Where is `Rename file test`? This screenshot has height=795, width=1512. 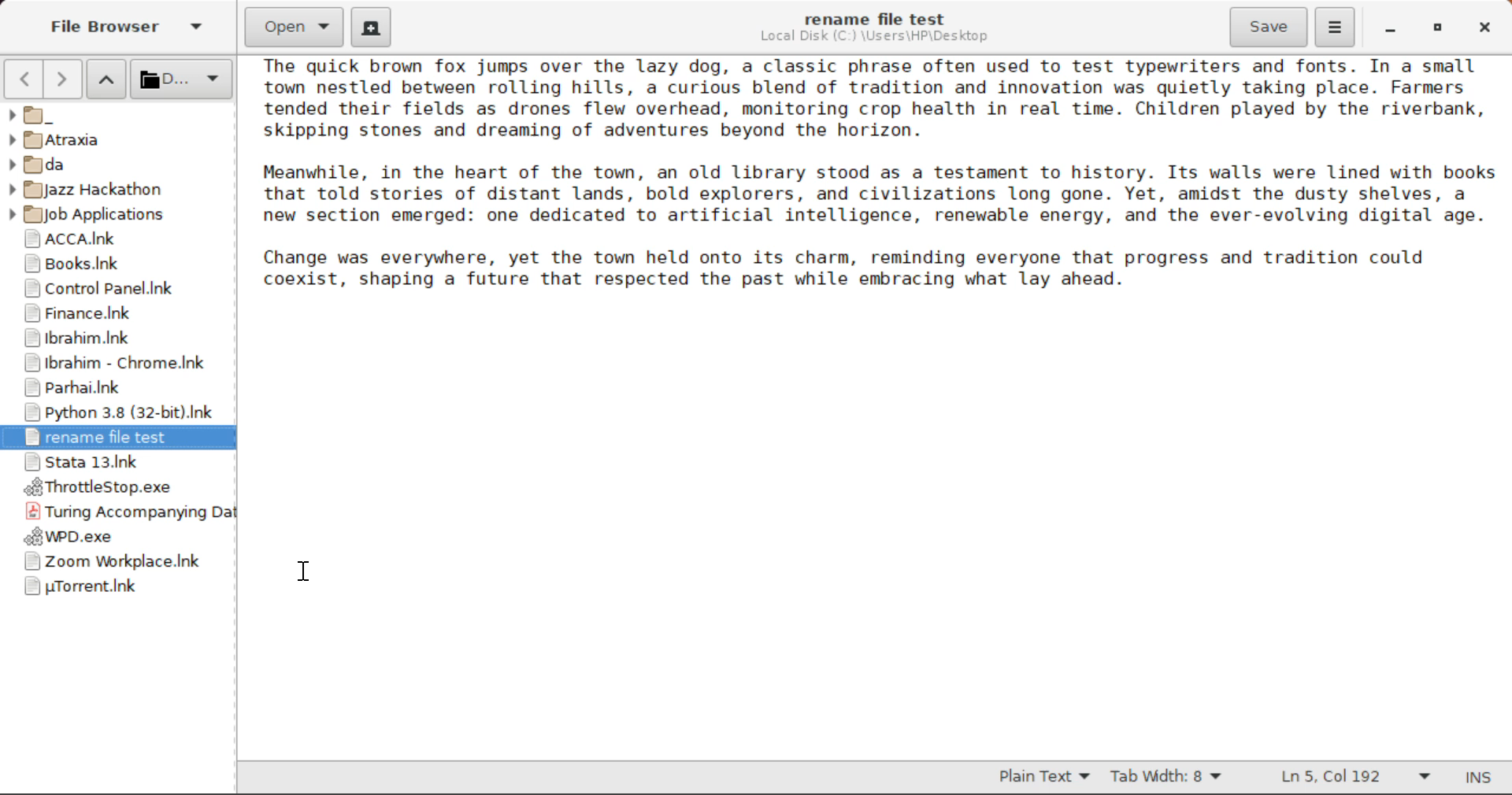
Rename file test is located at coordinates (117, 438).